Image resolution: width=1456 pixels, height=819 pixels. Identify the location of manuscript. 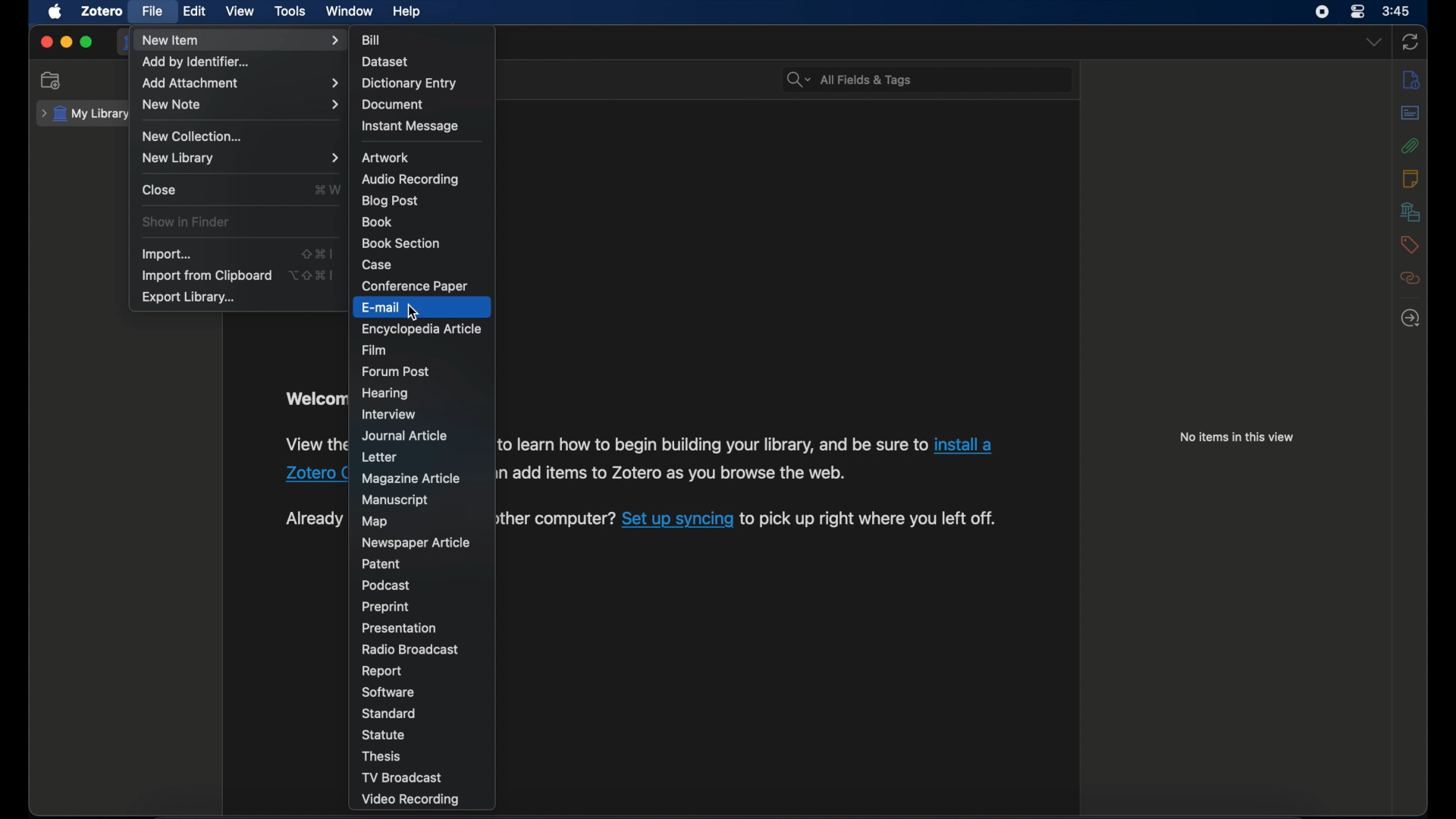
(397, 499).